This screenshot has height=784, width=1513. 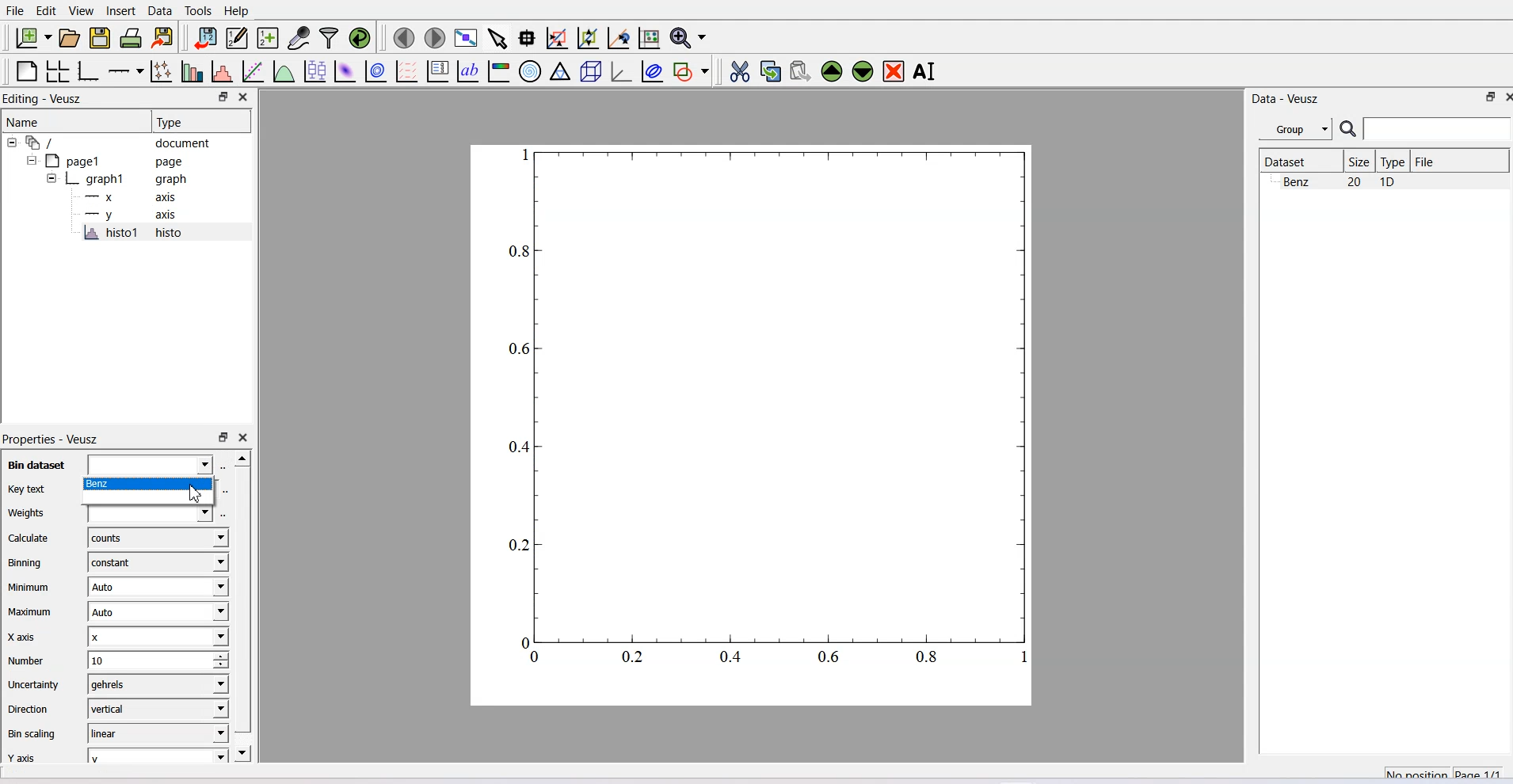 I want to click on Print Document, so click(x=131, y=38).